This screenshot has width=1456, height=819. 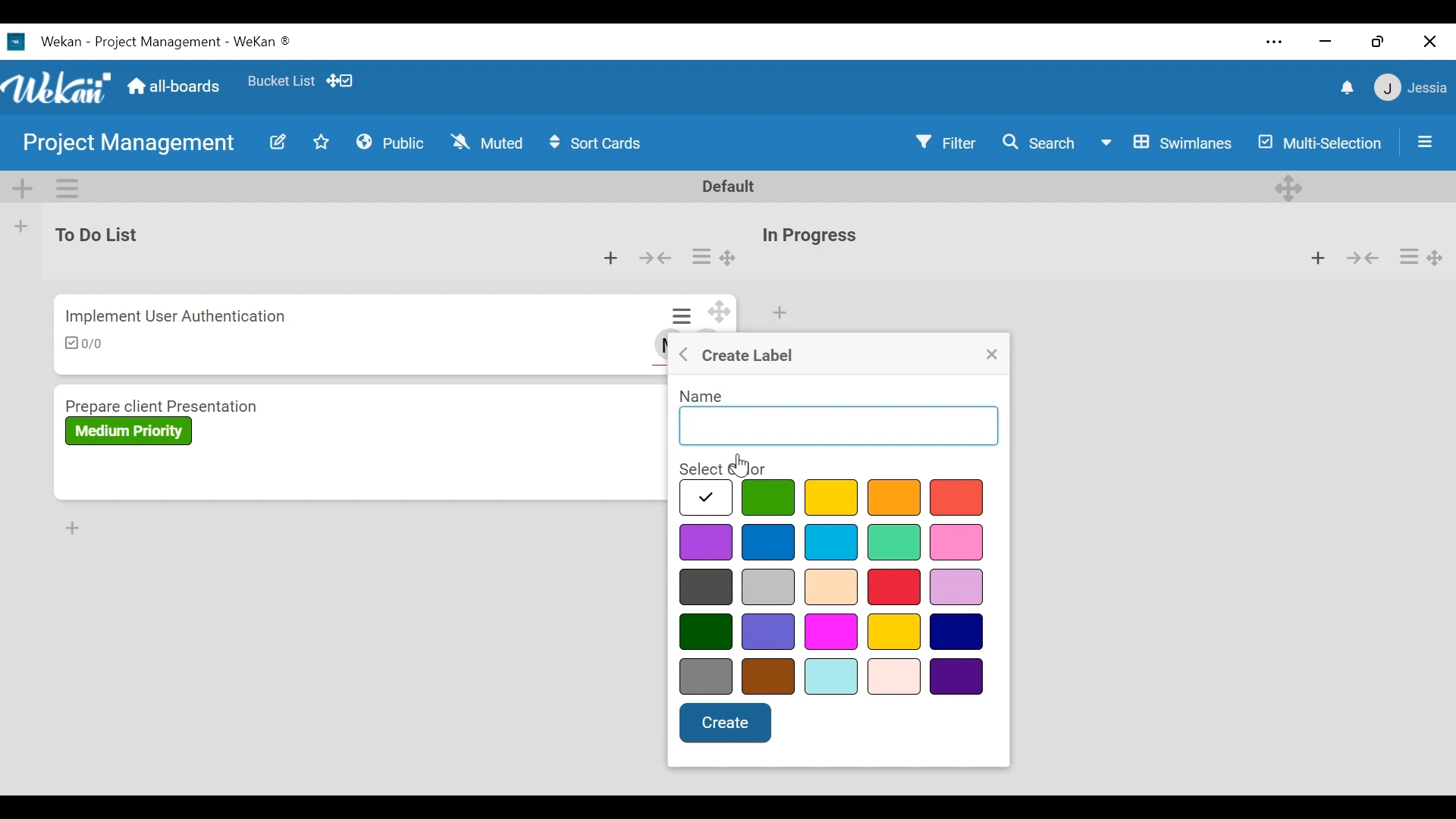 I want to click on Member Settings, so click(x=1411, y=87).